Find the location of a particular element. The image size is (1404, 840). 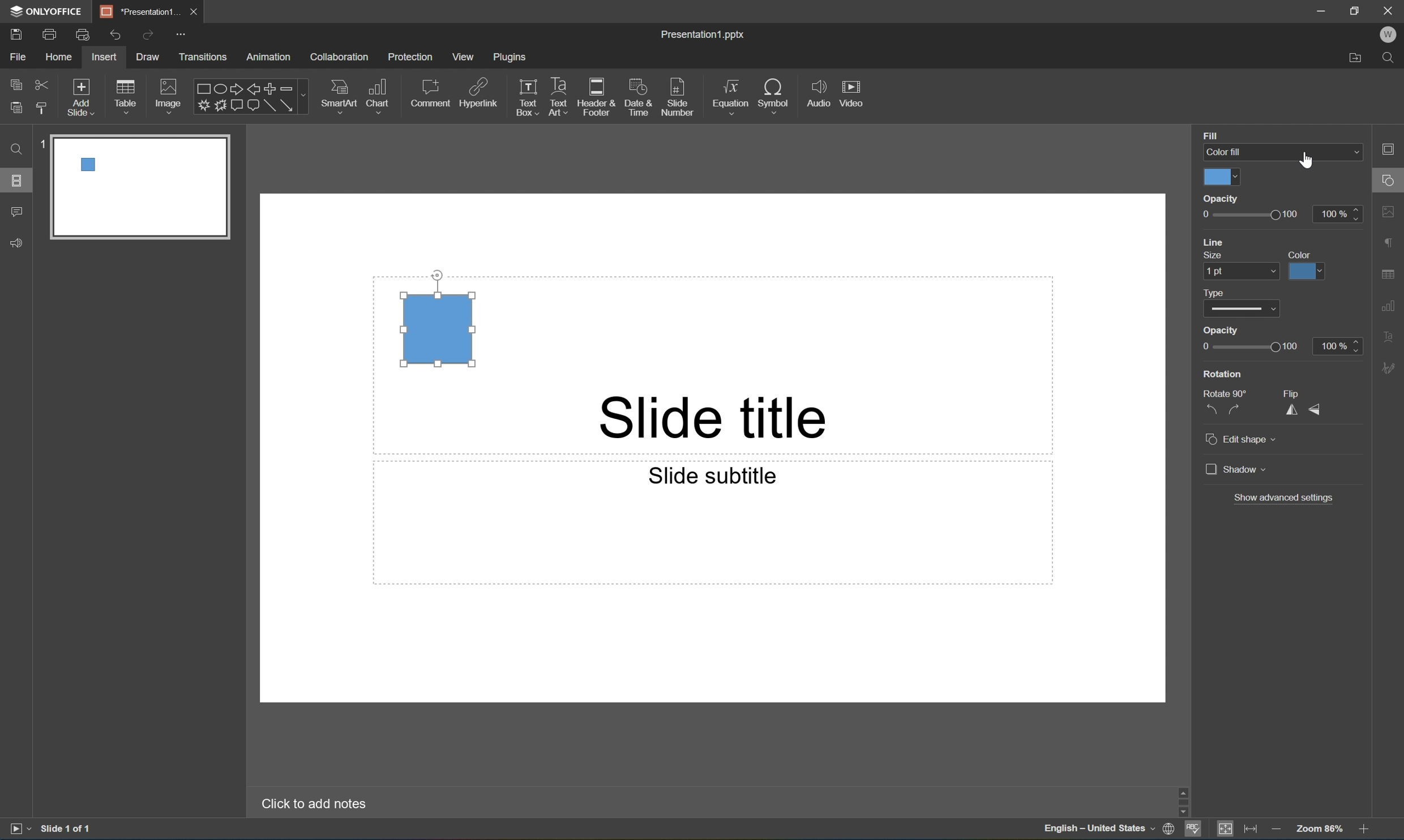

Customize quick access toolbar is located at coordinates (183, 36).